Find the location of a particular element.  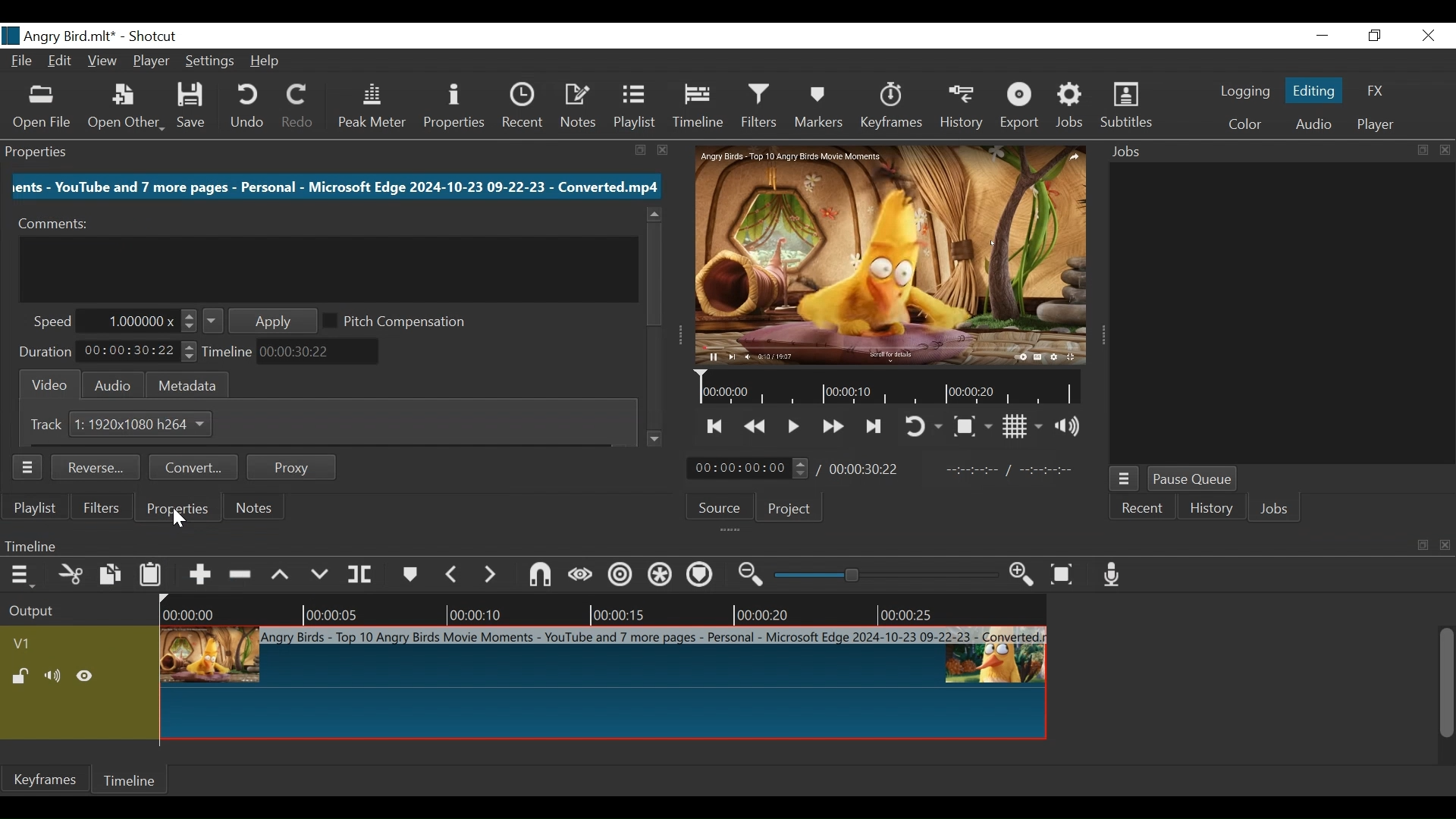

Size is located at coordinates (148, 424).